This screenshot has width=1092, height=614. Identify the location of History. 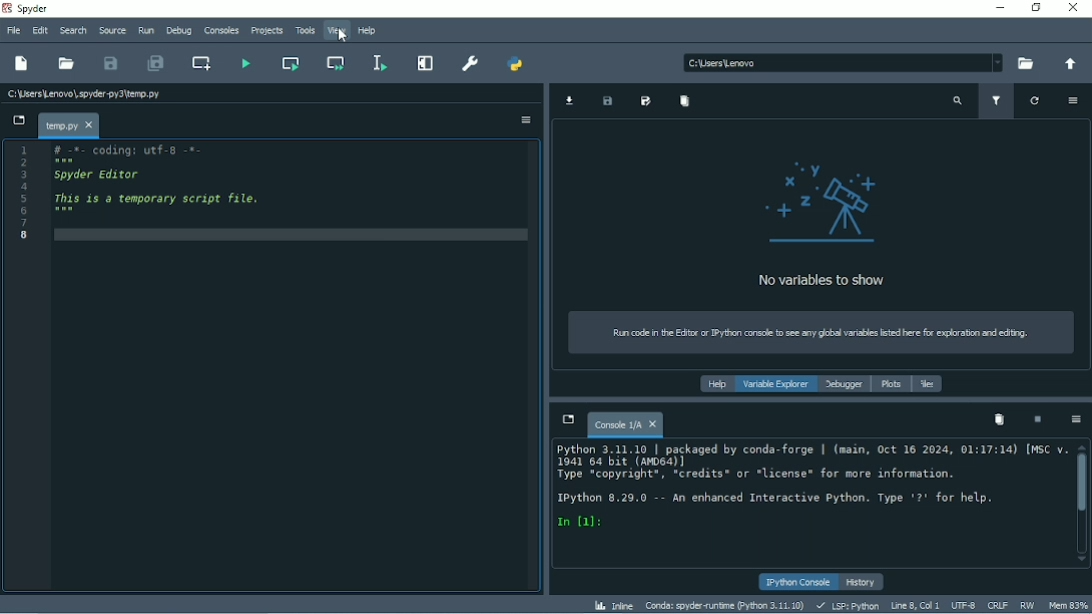
(863, 582).